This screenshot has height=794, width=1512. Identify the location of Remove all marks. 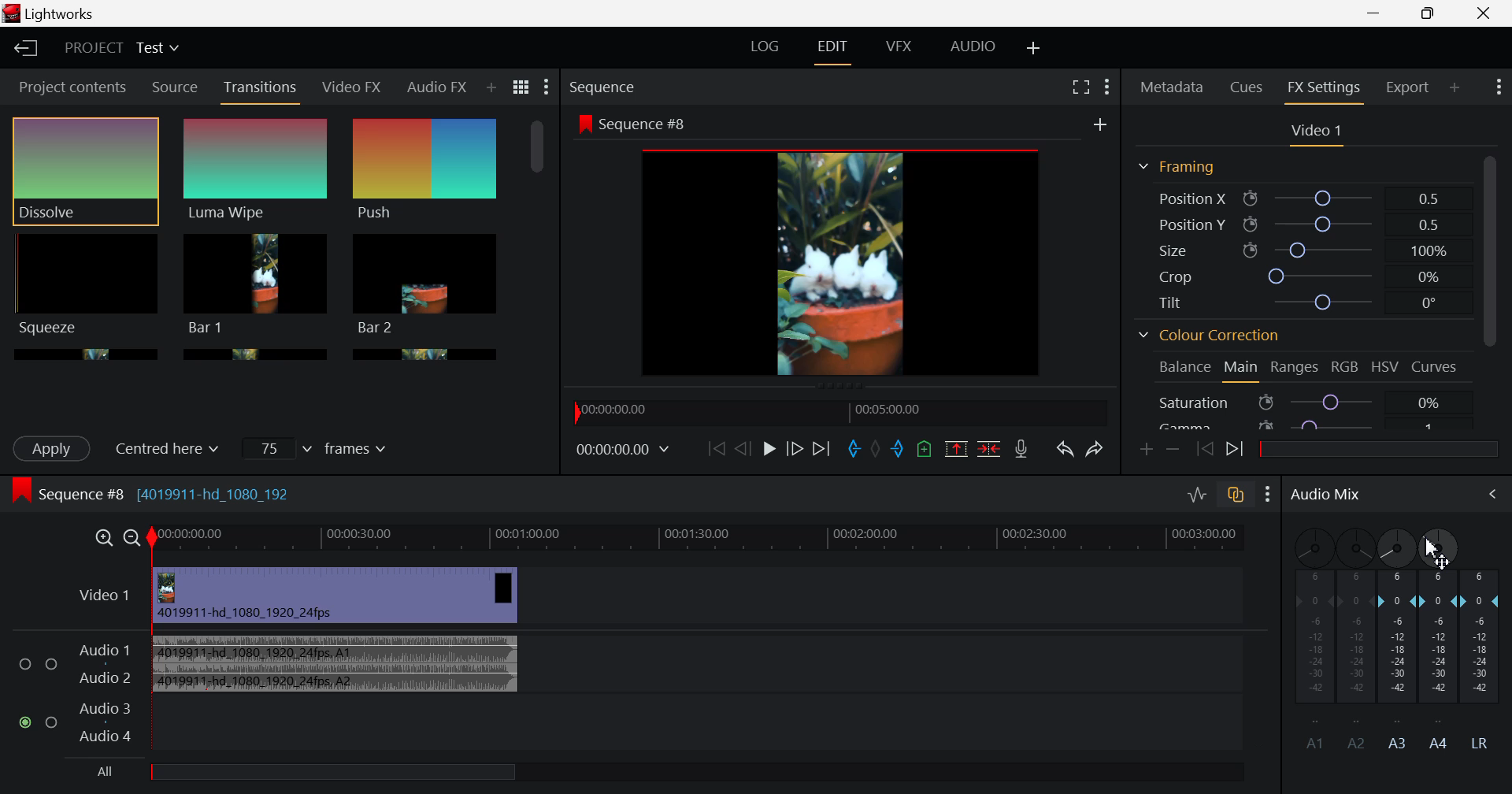
(875, 449).